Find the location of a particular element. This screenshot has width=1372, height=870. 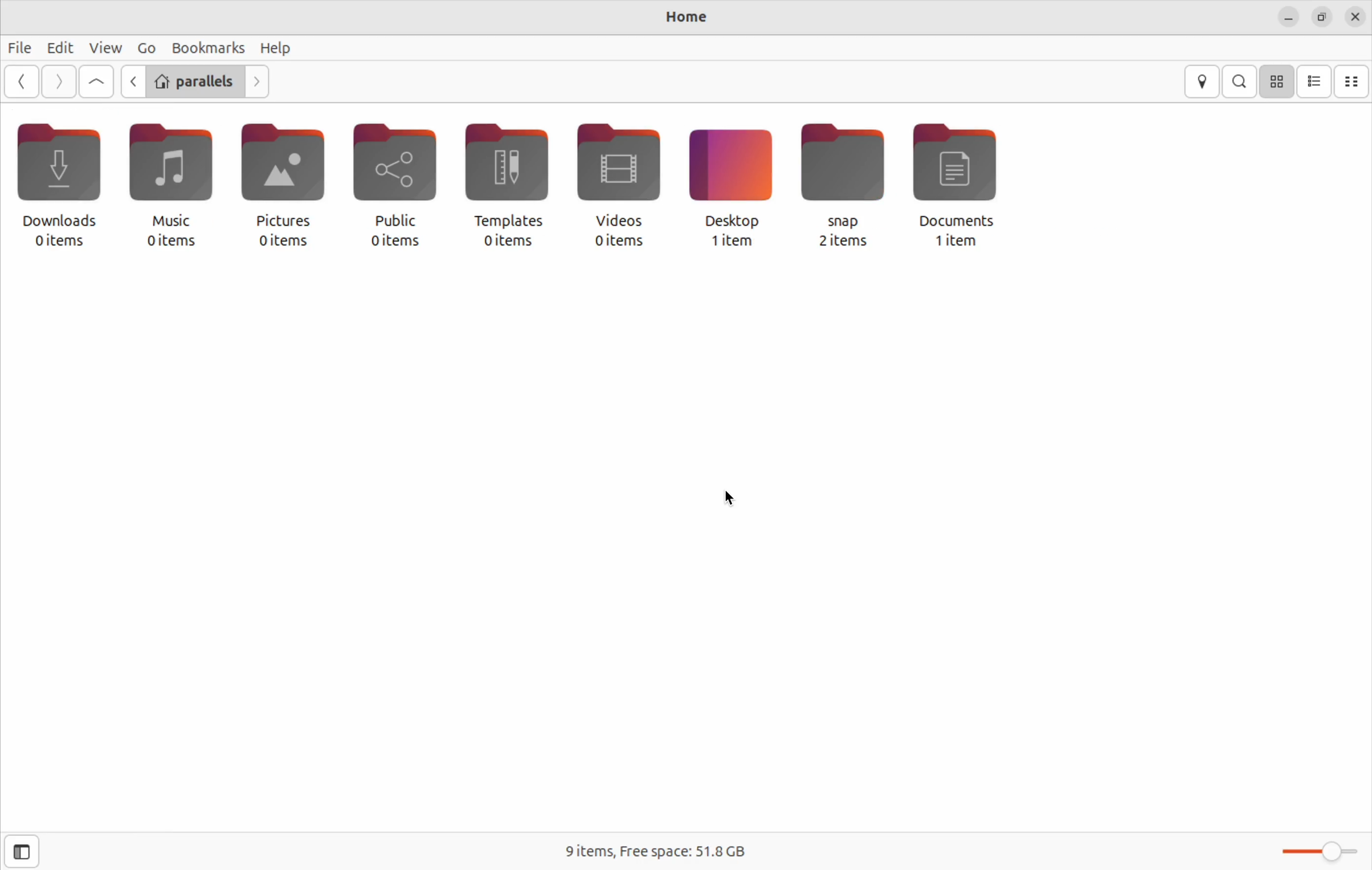

search is located at coordinates (1240, 81).